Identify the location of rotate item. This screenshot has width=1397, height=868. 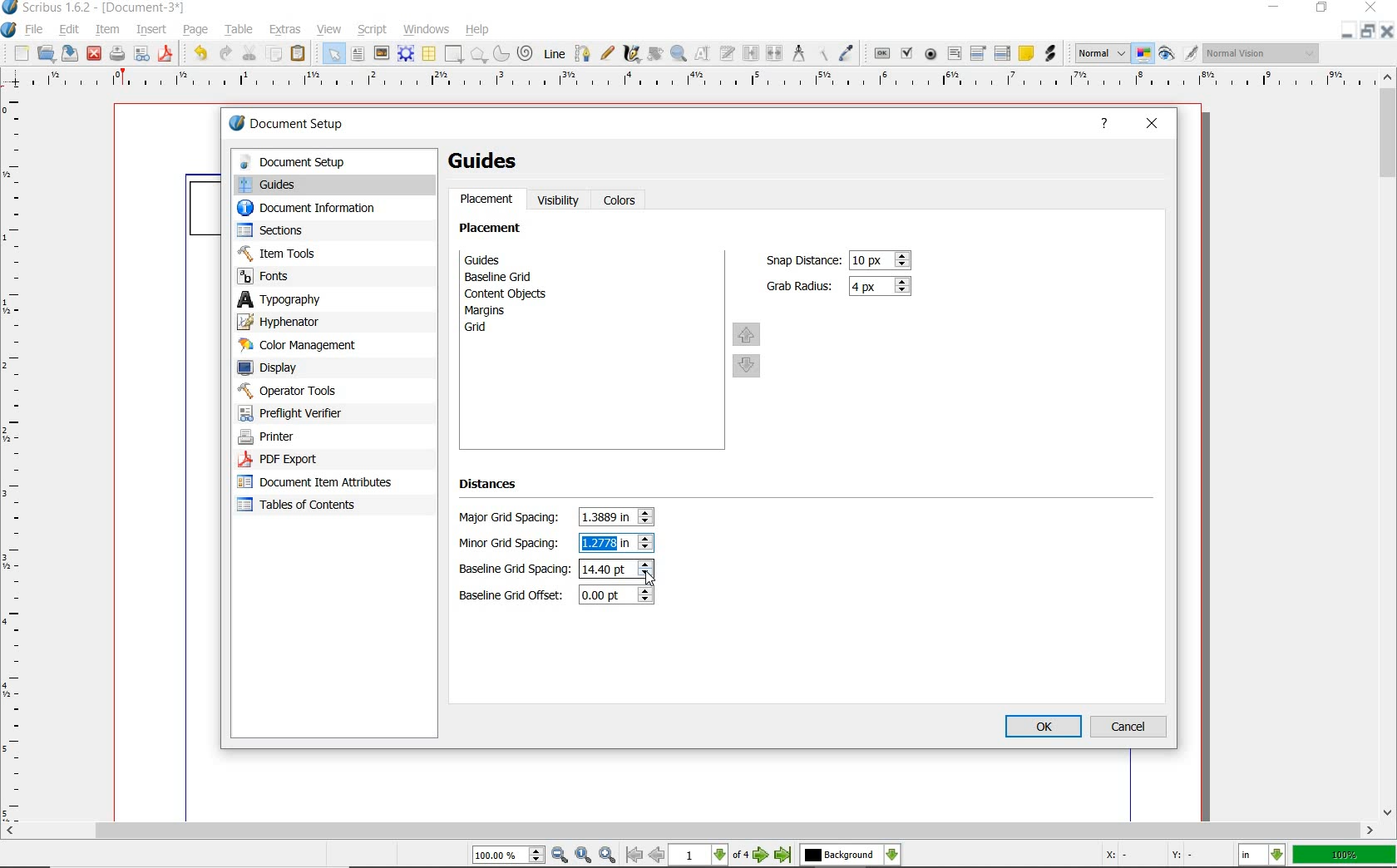
(654, 55).